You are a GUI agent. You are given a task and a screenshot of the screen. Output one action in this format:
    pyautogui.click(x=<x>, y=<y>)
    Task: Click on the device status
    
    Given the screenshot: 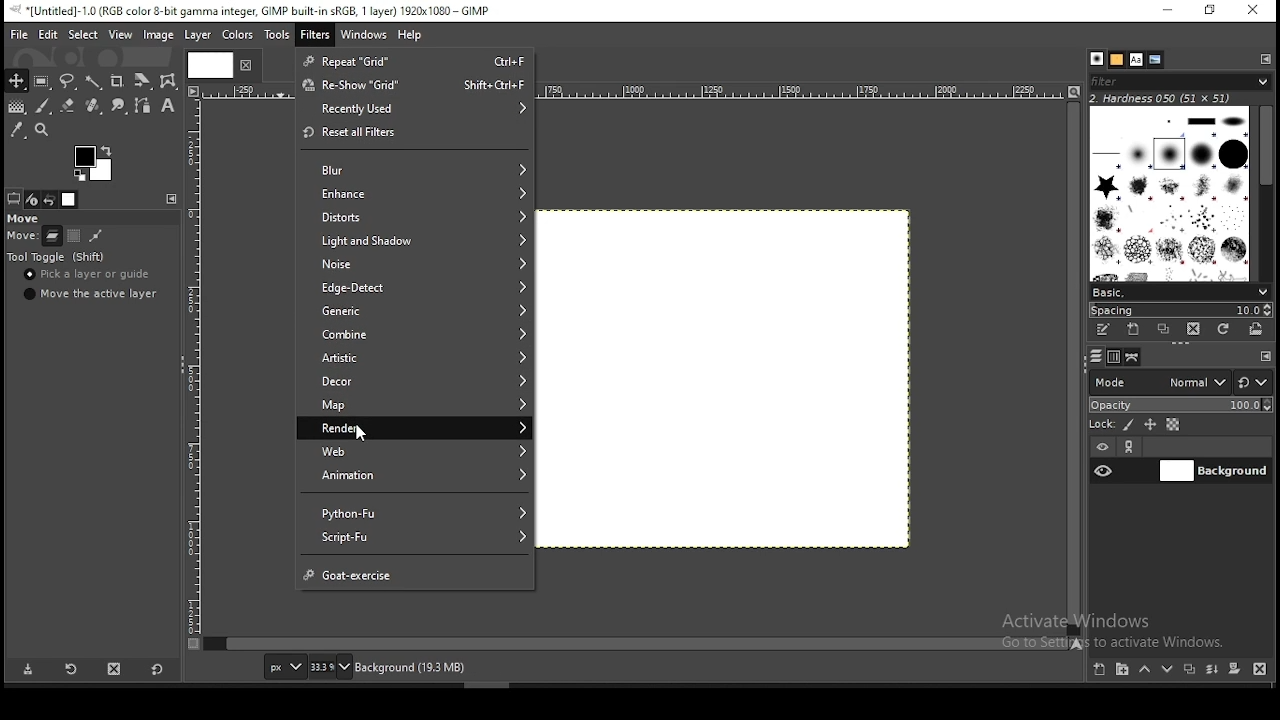 What is the action you would take?
    pyautogui.click(x=32, y=199)
    